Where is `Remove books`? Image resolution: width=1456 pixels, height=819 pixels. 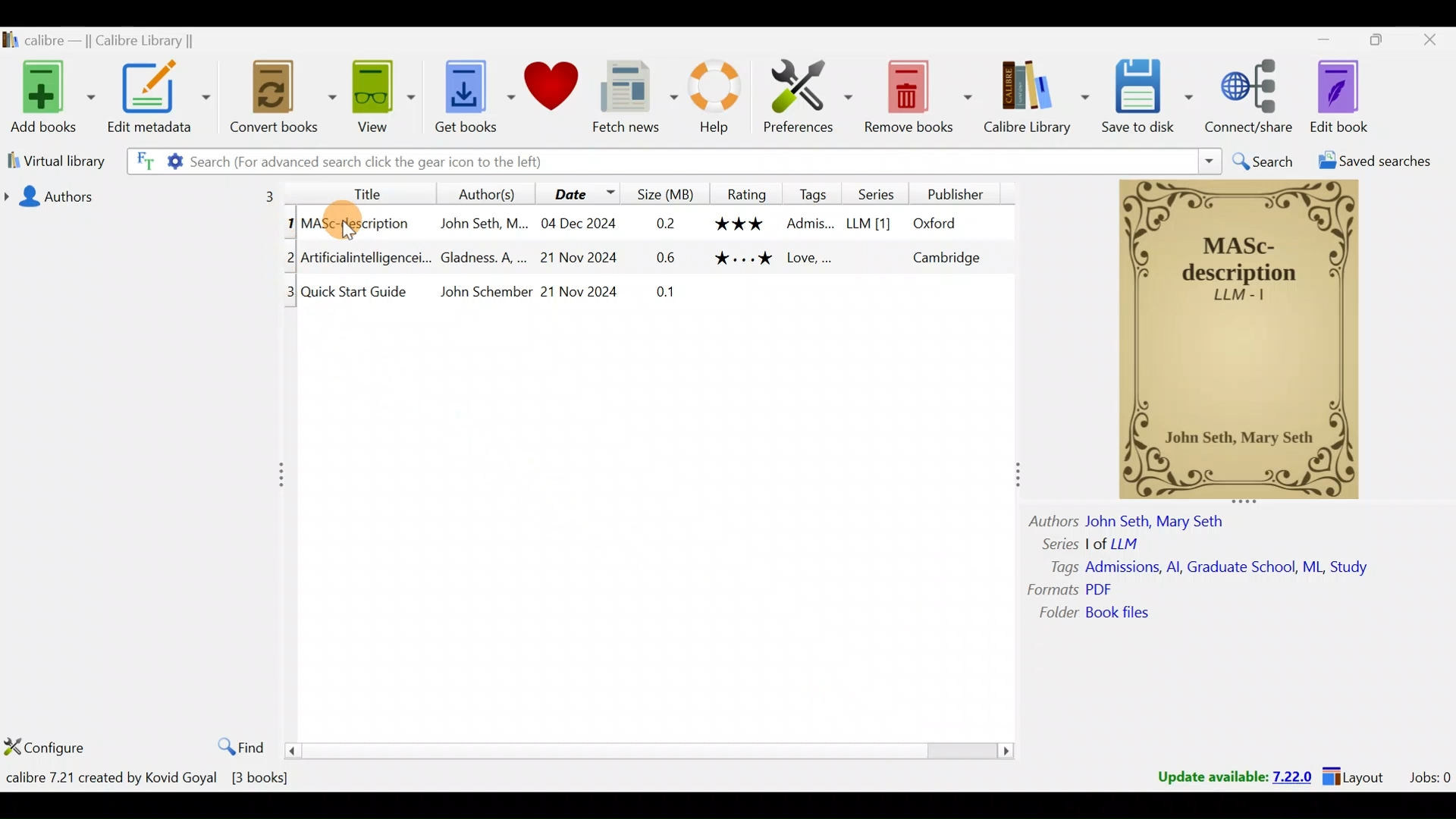
Remove books is located at coordinates (920, 96).